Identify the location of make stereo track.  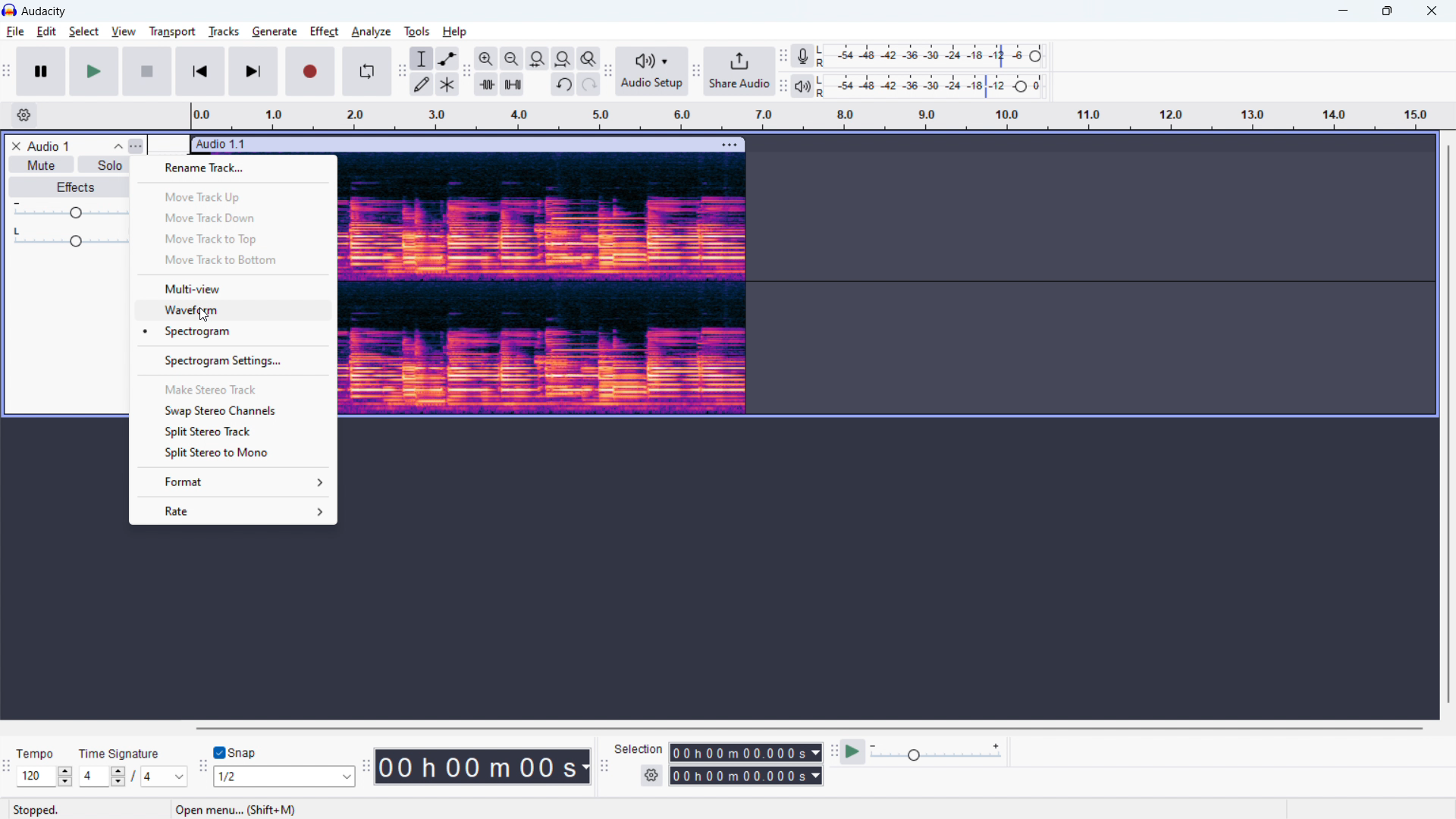
(234, 389).